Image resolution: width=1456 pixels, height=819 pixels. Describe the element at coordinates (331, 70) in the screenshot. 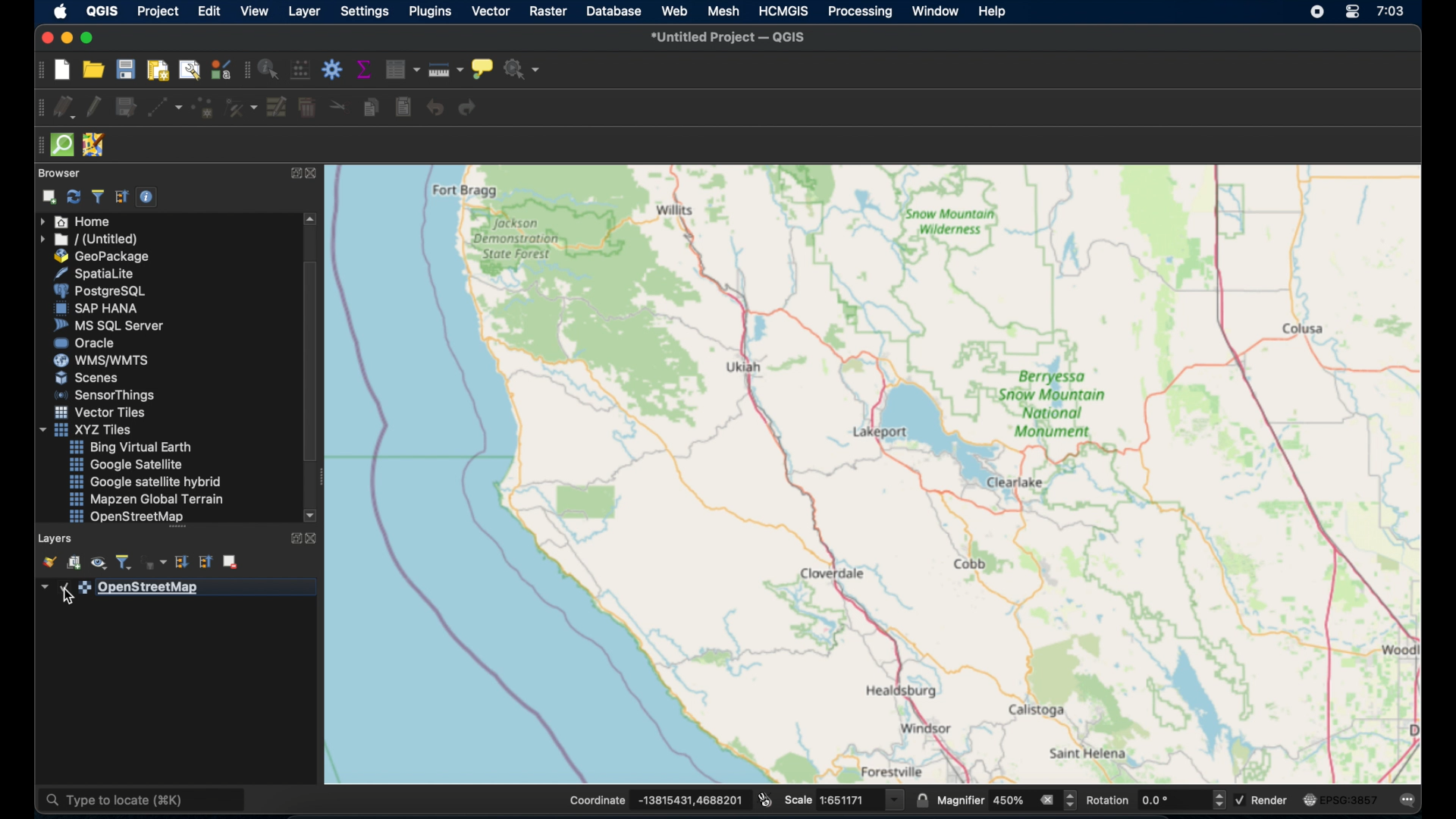

I see `toolbox` at that location.